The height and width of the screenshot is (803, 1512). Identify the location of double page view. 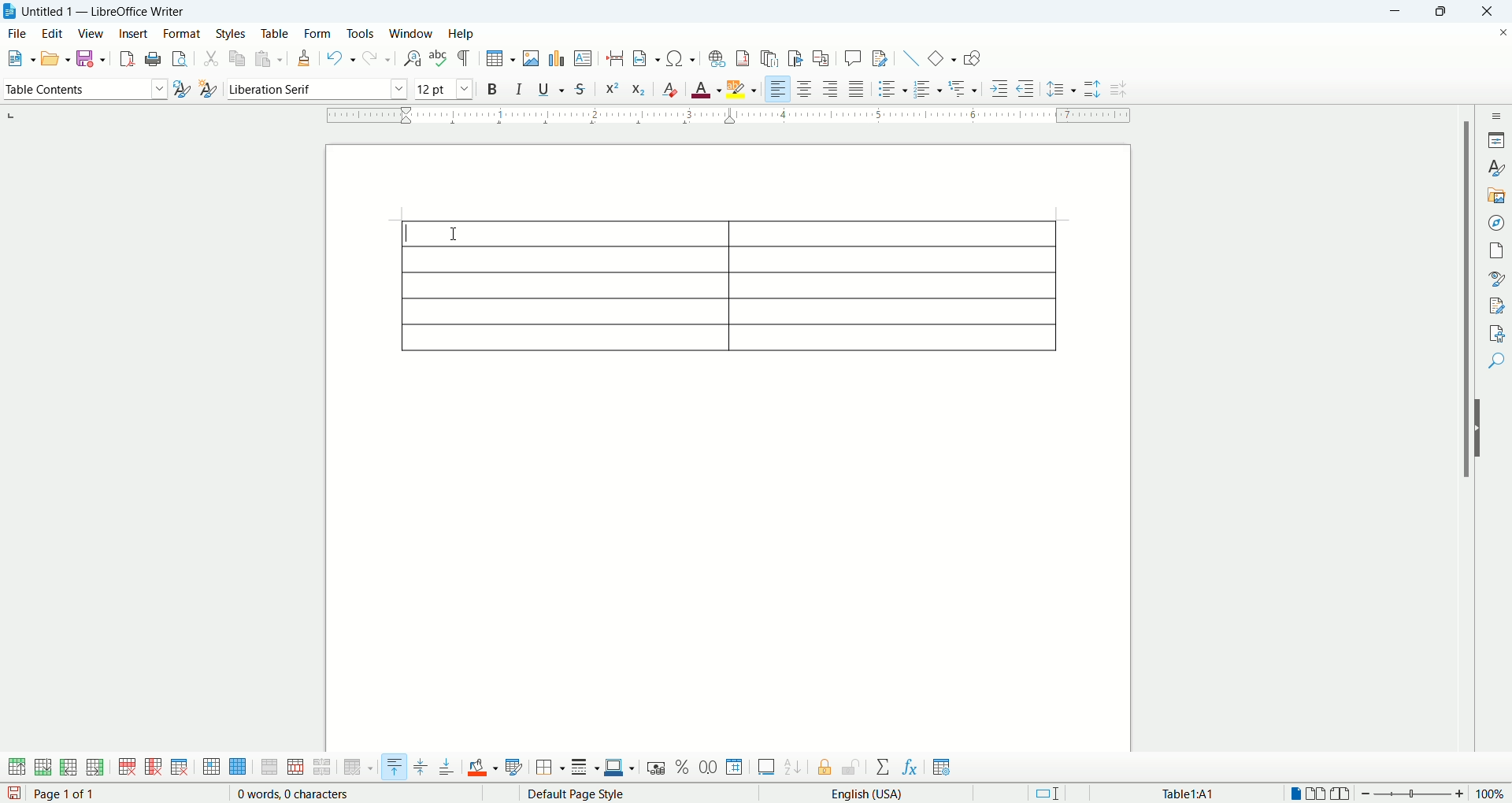
(1319, 794).